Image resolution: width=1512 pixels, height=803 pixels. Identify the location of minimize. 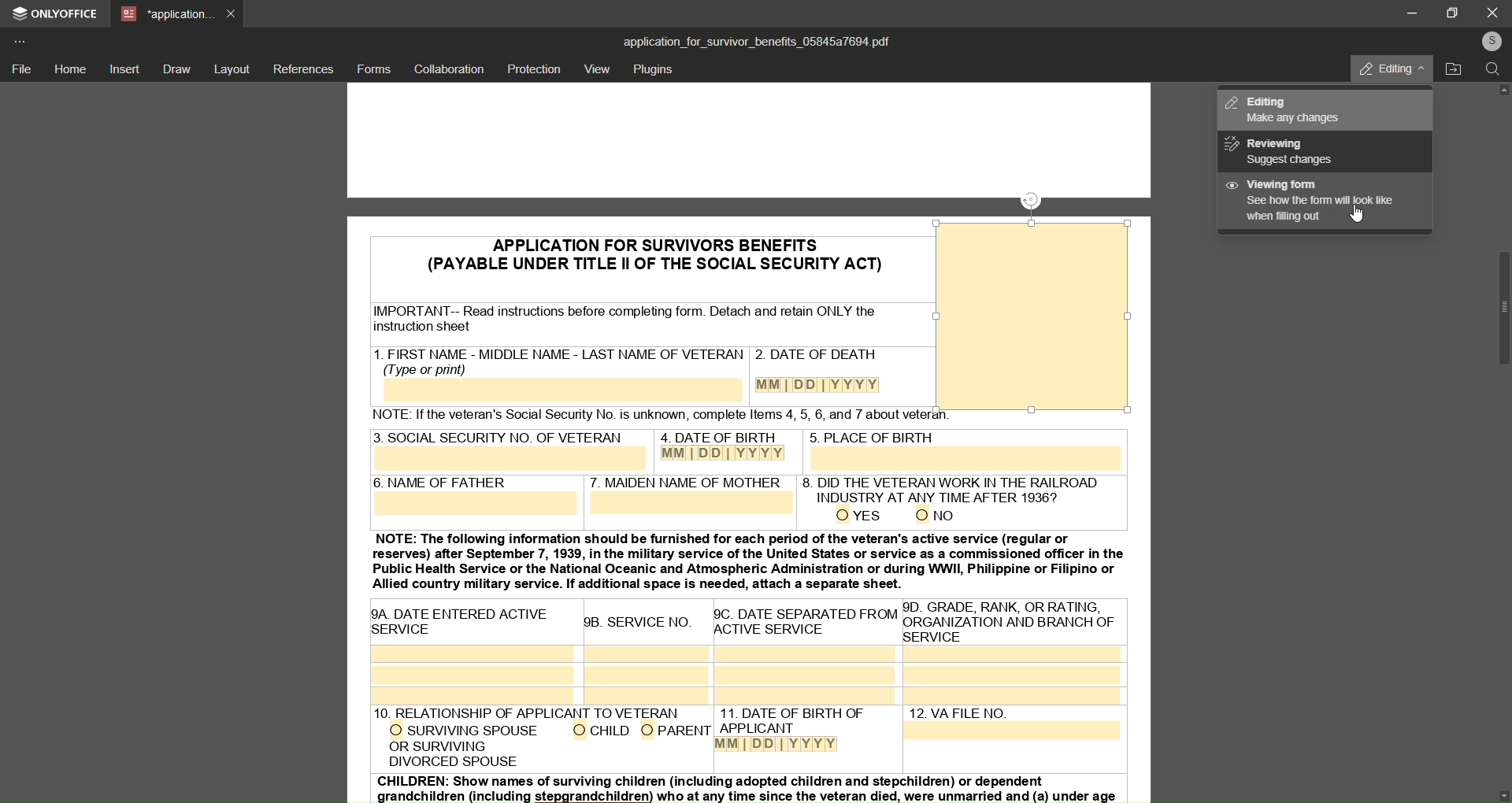
(1407, 13).